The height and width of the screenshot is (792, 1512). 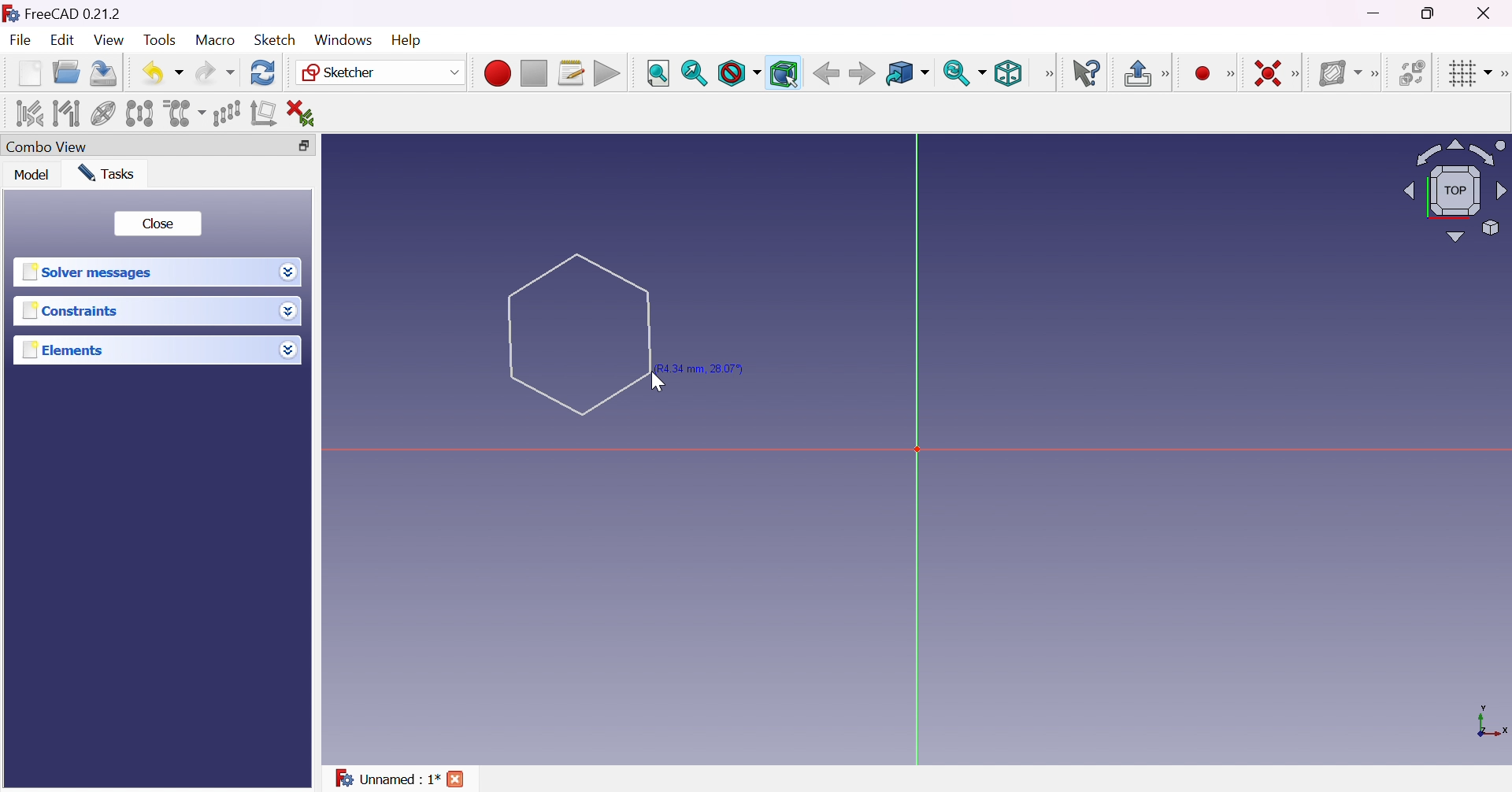 What do you see at coordinates (162, 74) in the screenshot?
I see `Undo` at bounding box center [162, 74].